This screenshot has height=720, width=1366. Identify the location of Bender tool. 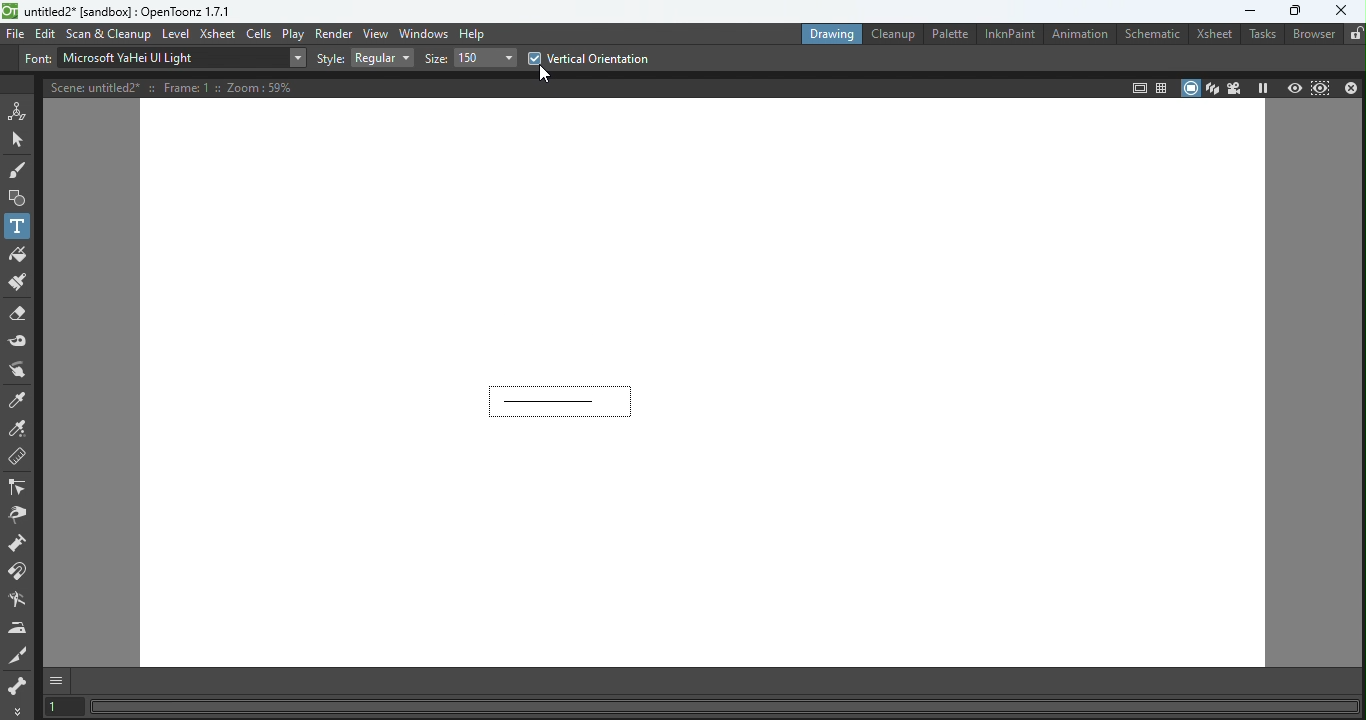
(18, 598).